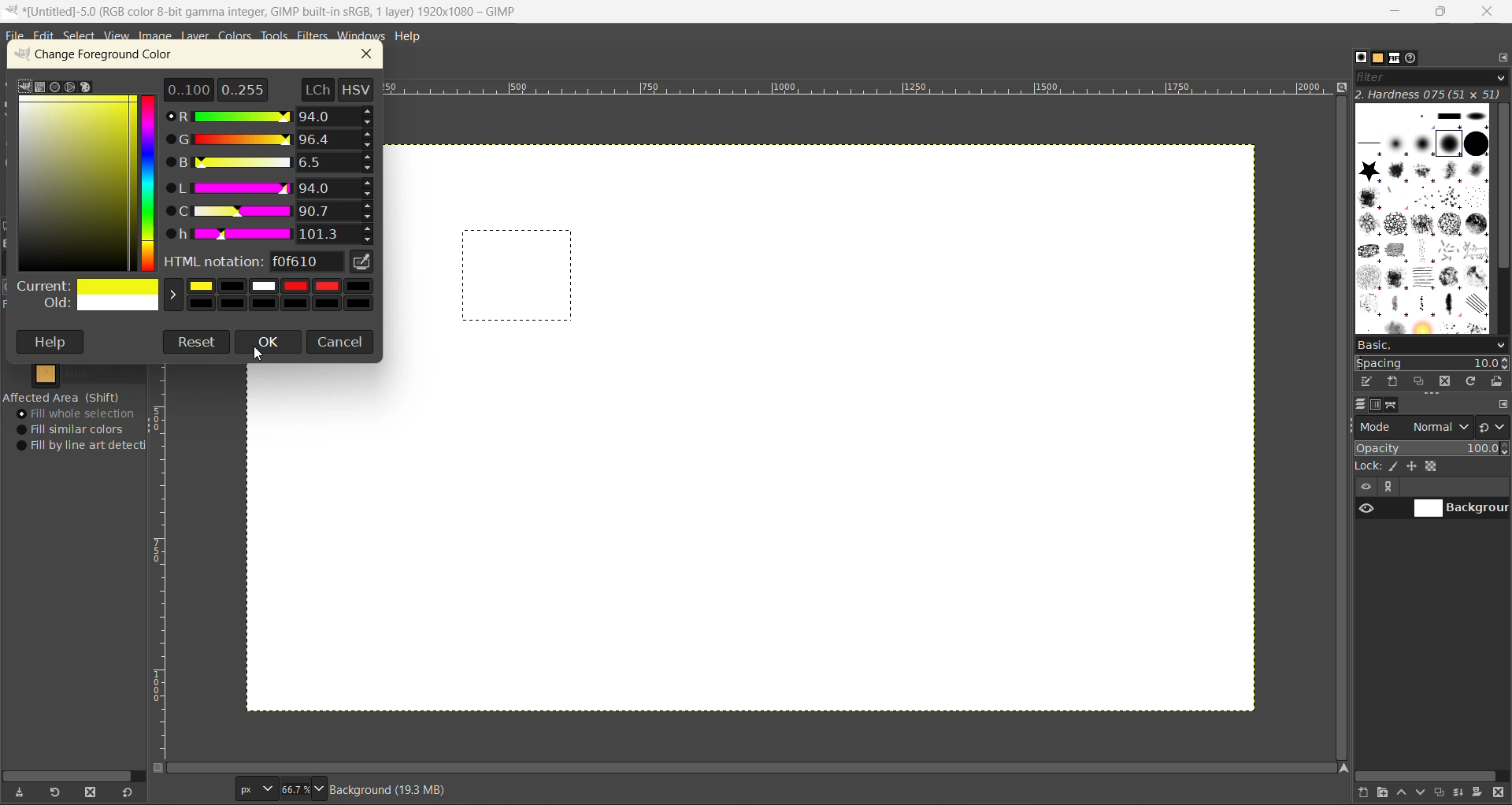 This screenshot has height=805, width=1512. Describe the element at coordinates (1415, 427) in the screenshot. I see `mode` at that location.